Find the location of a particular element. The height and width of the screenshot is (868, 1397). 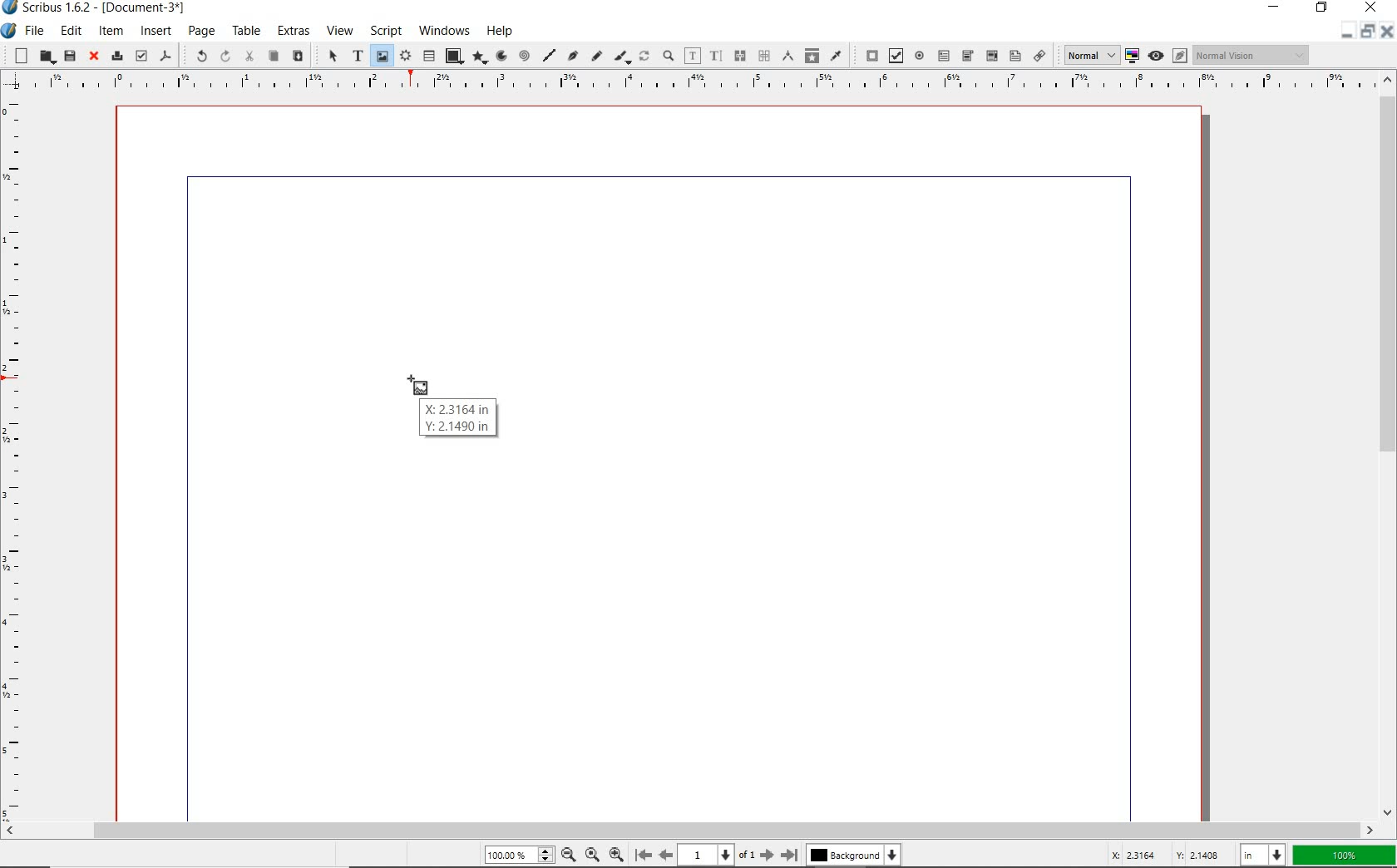

REDO is located at coordinates (224, 58).